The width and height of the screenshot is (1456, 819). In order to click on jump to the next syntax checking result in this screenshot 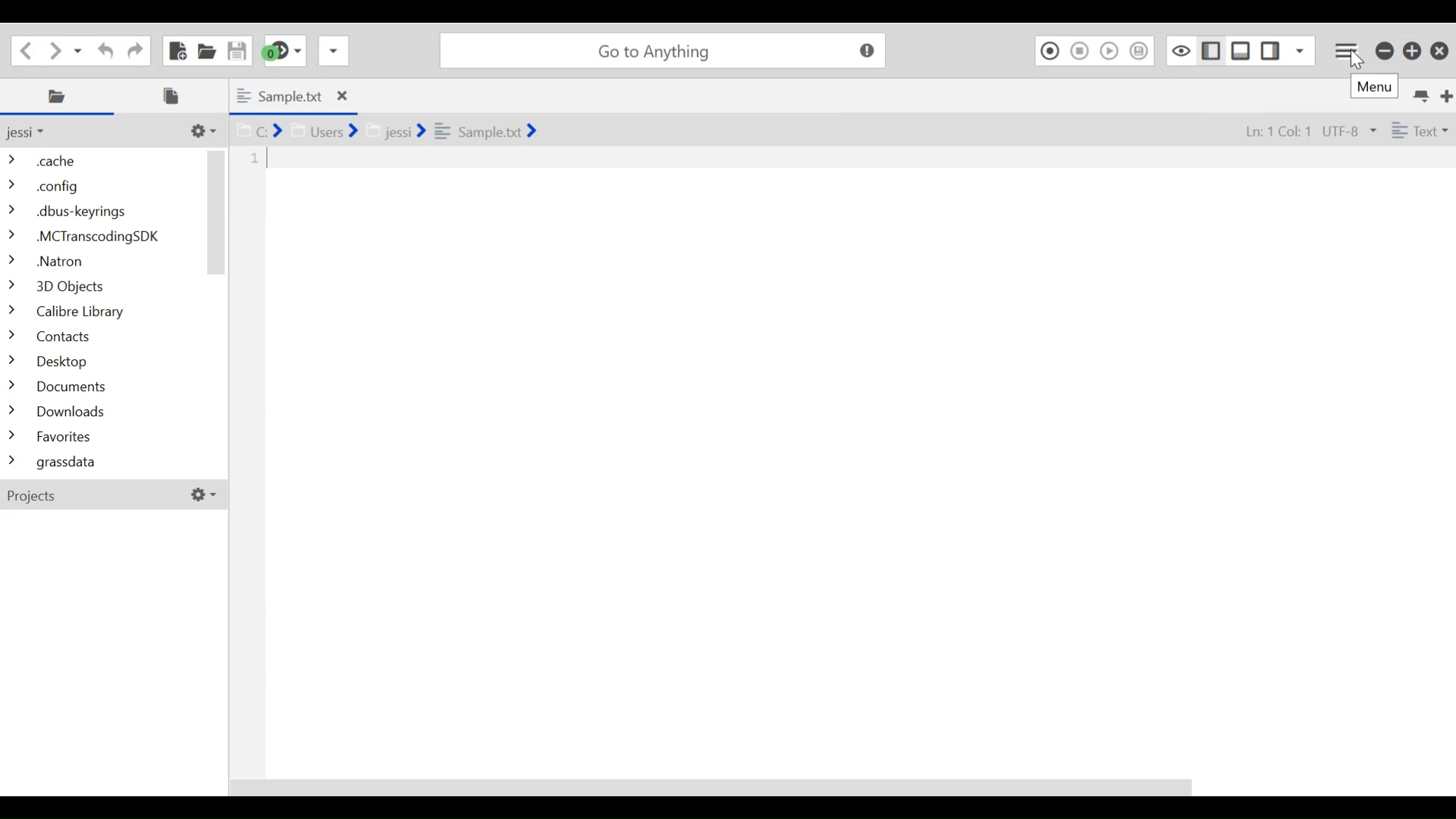, I will do `click(284, 51)`.